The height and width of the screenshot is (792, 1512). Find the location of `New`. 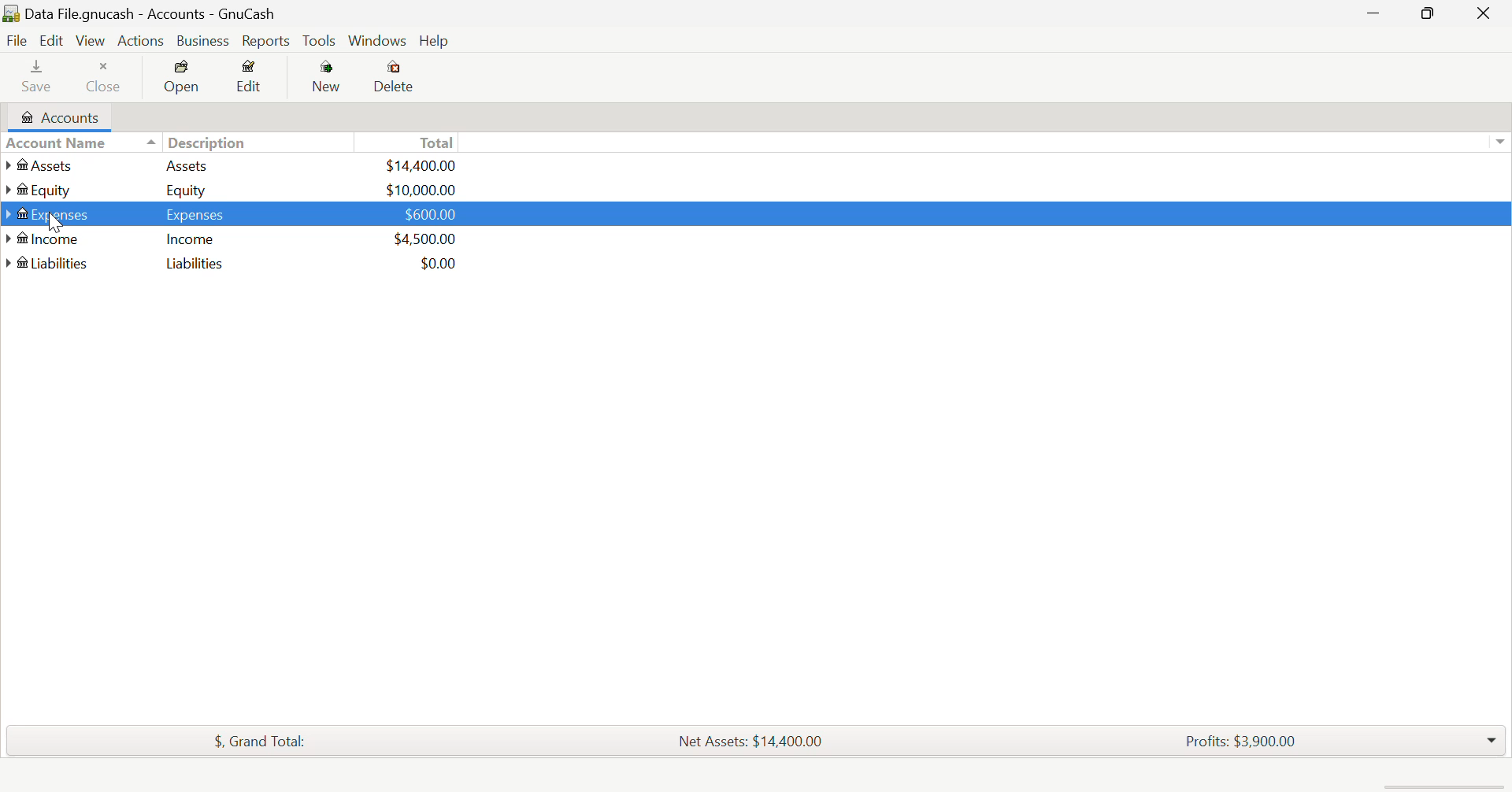

New is located at coordinates (328, 79).